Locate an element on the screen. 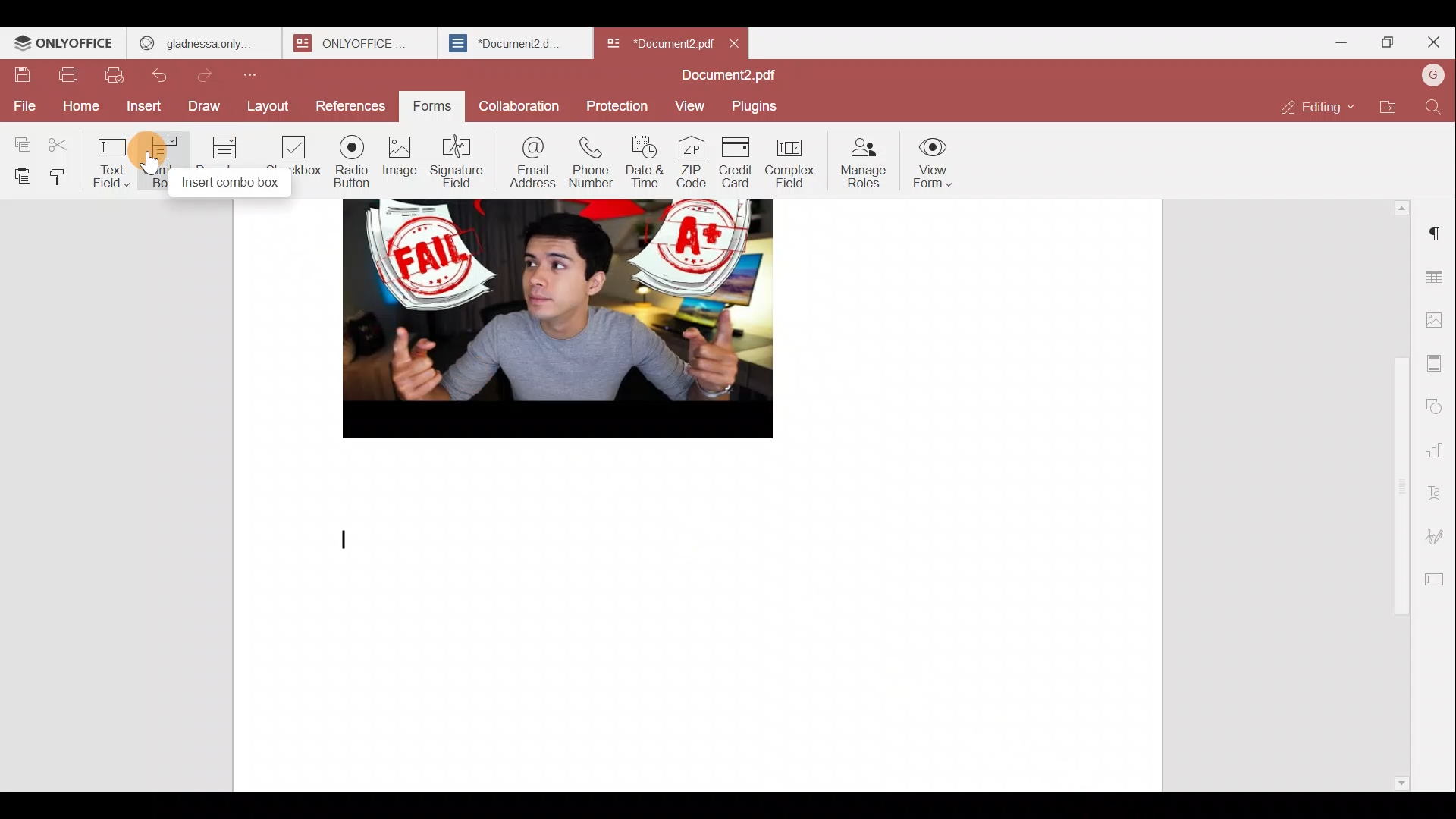  ONLYOFFICE is located at coordinates (350, 43).